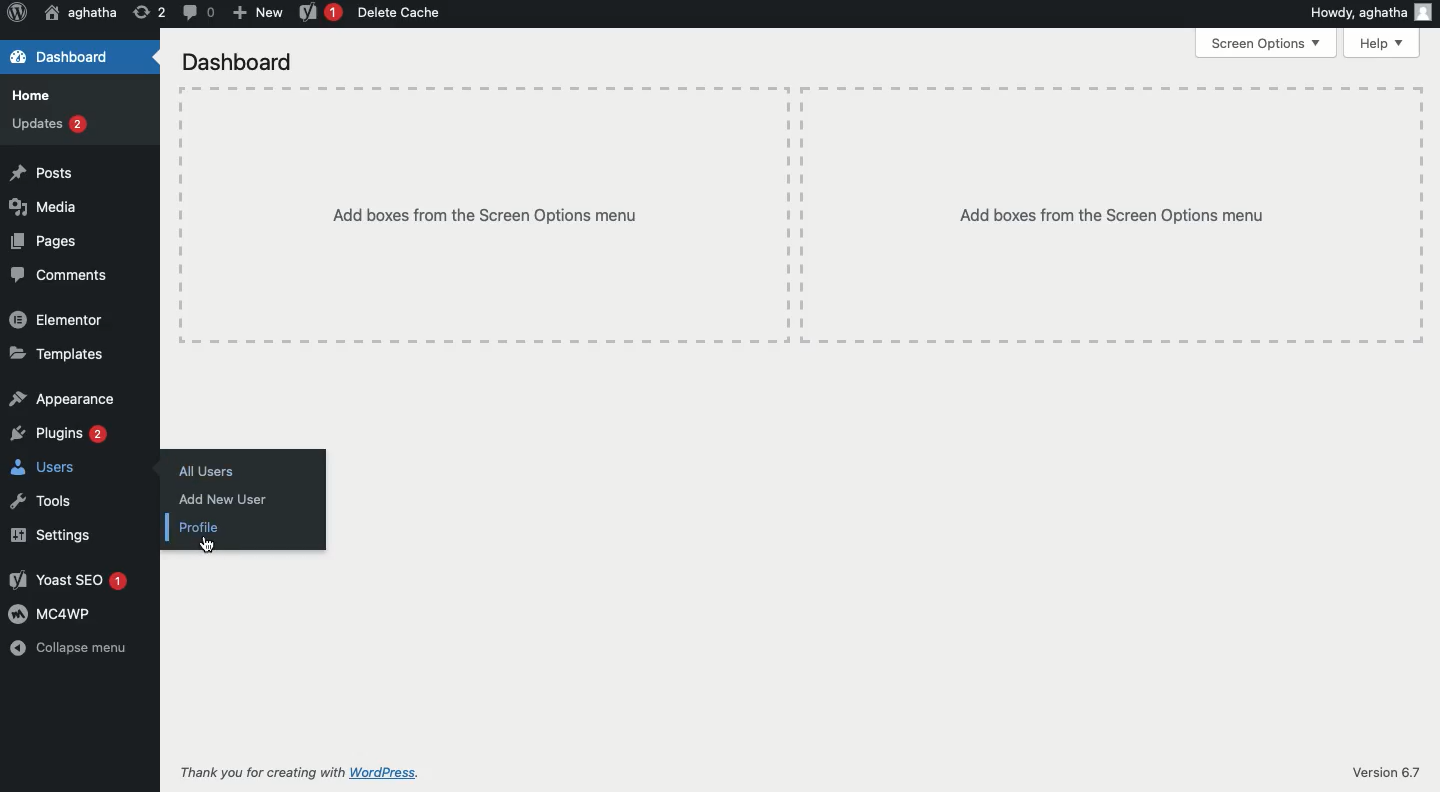 This screenshot has height=792, width=1440. Describe the element at coordinates (197, 11) in the screenshot. I see `Comment` at that location.